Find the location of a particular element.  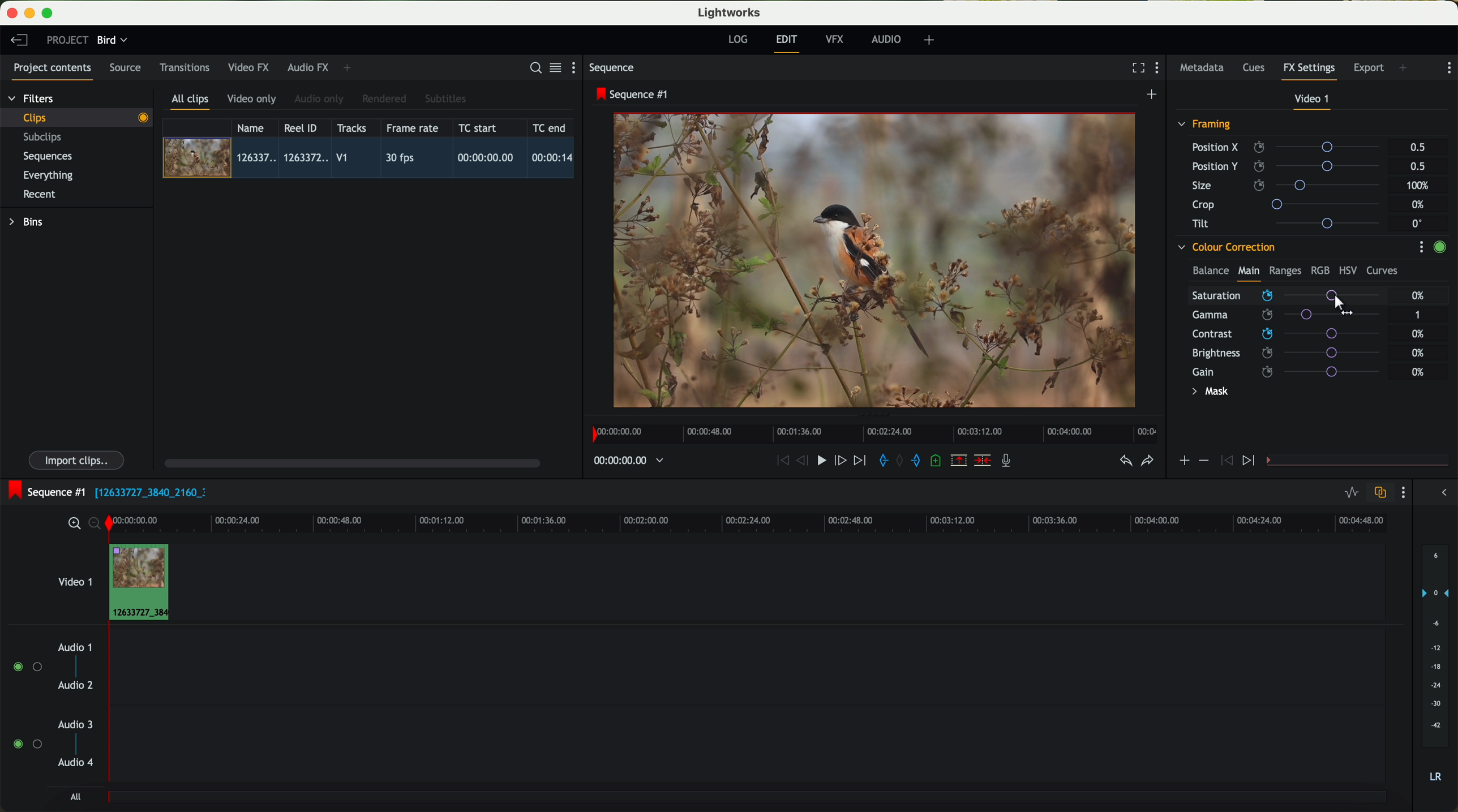

delete/cut is located at coordinates (983, 461).